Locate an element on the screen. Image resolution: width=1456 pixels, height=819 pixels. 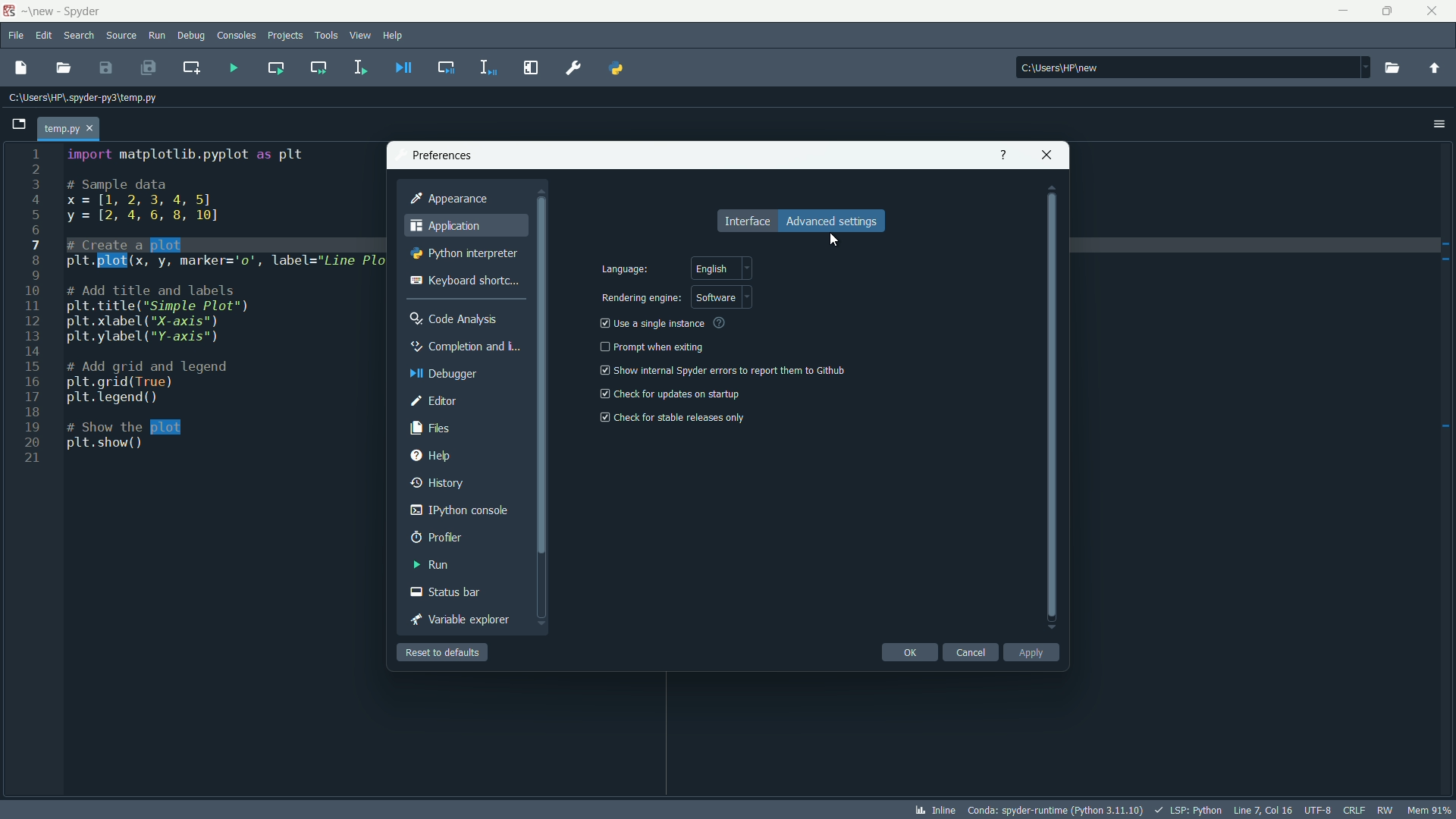
interface is located at coordinates (747, 221).